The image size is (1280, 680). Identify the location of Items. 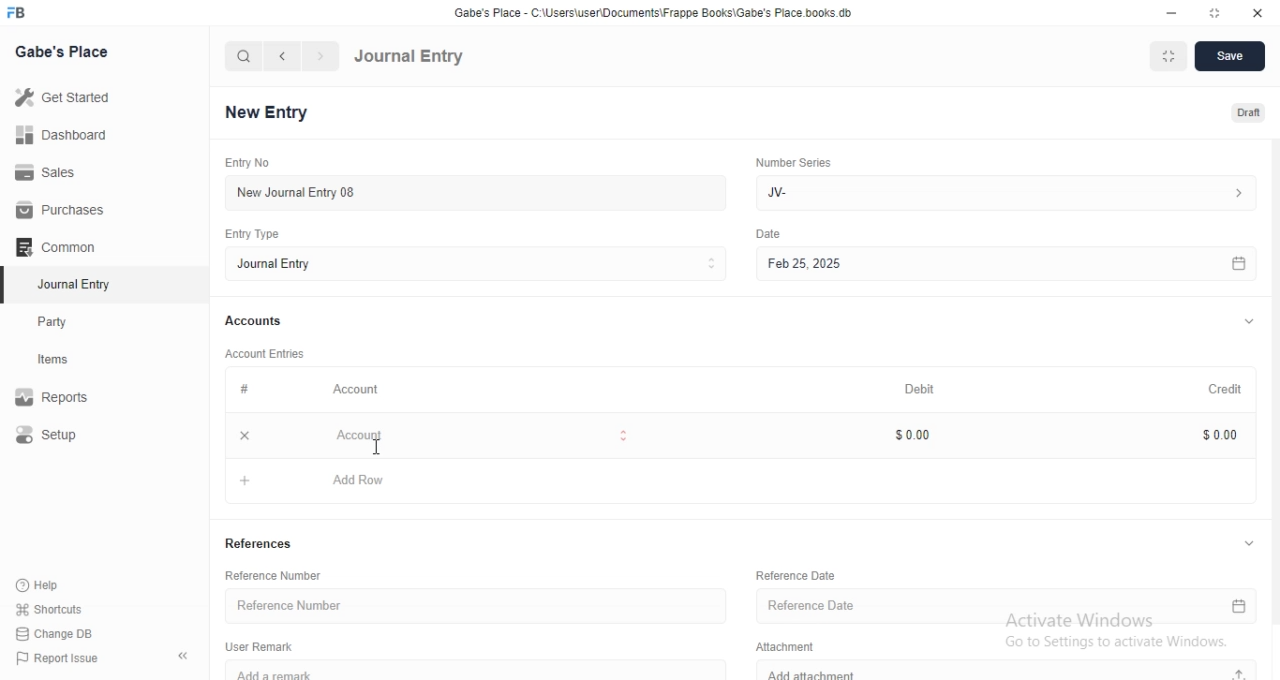
(72, 361).